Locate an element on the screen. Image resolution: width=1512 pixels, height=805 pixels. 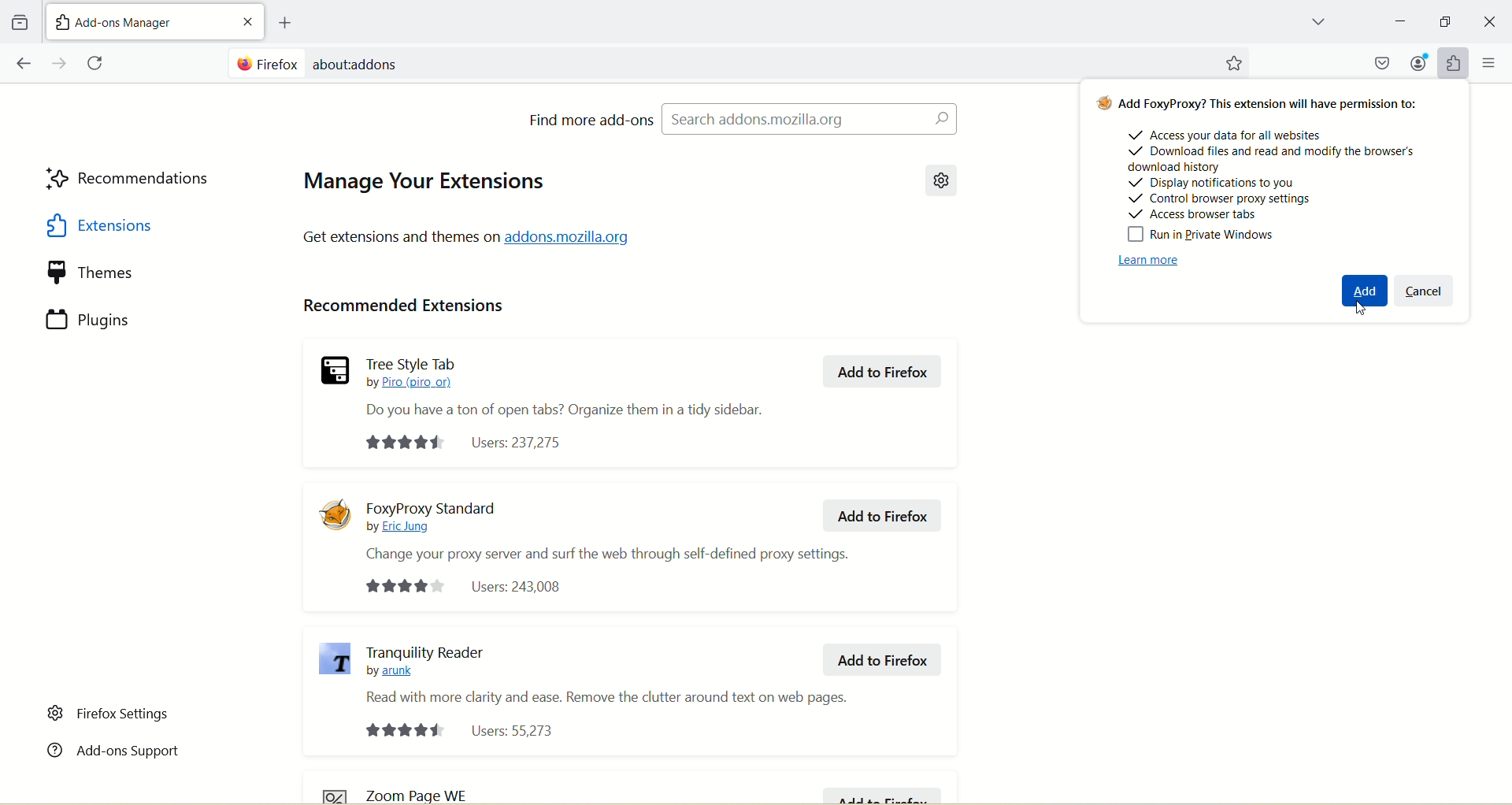
Tranquility Reader Icon is located at coordinates (335, 660).